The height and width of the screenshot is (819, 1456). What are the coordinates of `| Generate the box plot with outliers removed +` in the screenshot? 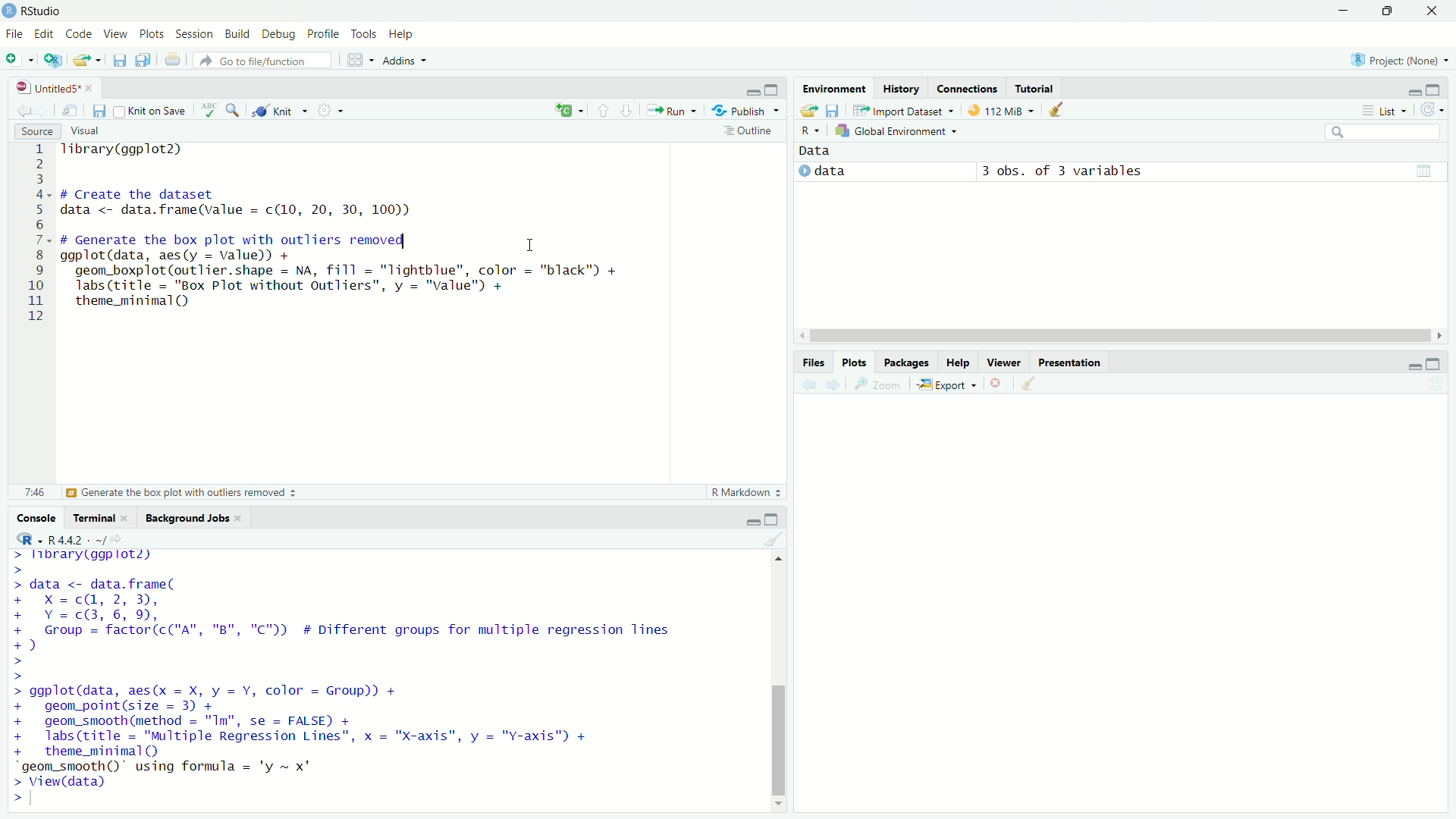 It's located at (182, 494).